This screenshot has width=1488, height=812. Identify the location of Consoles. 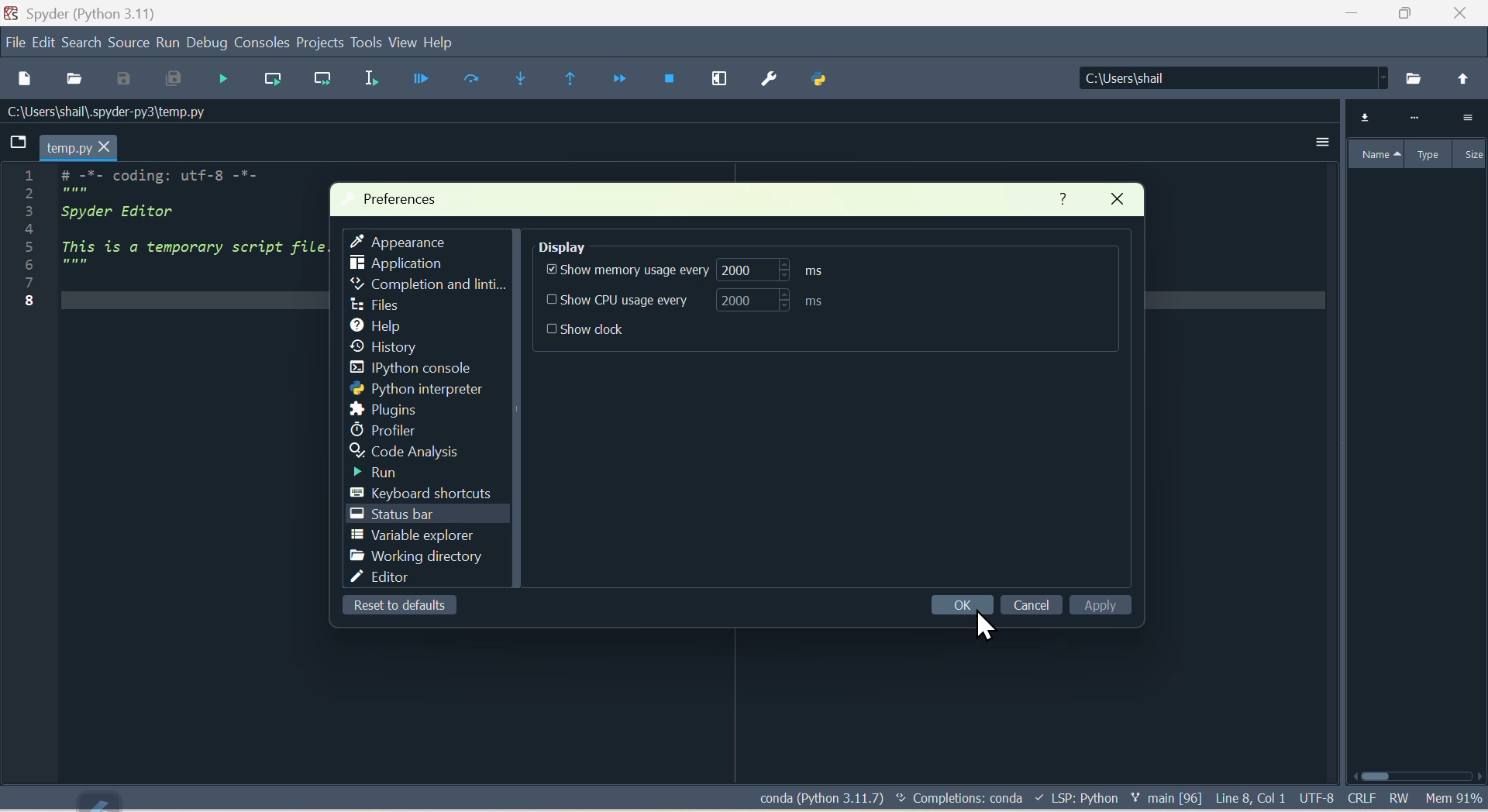
(261, 40).